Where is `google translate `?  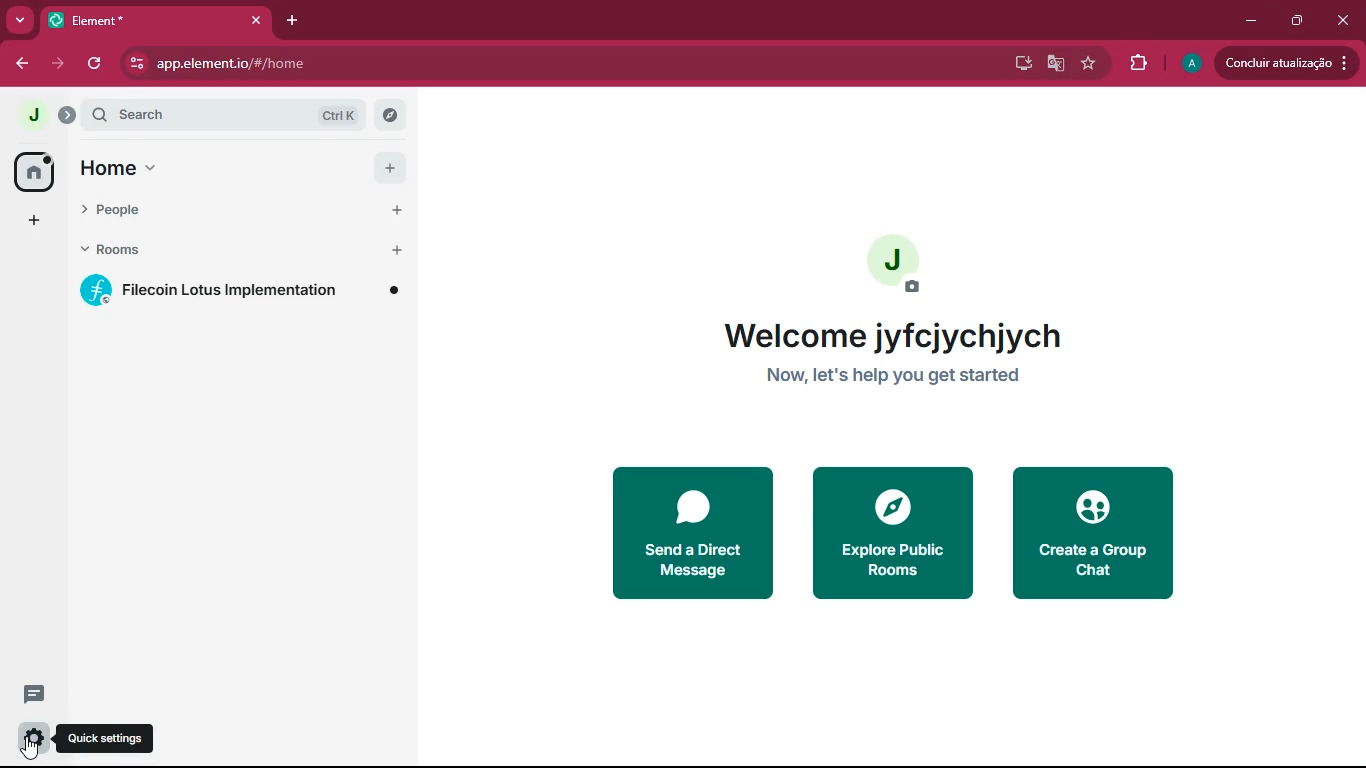
google translate  is located at coordinates (1052, 65).